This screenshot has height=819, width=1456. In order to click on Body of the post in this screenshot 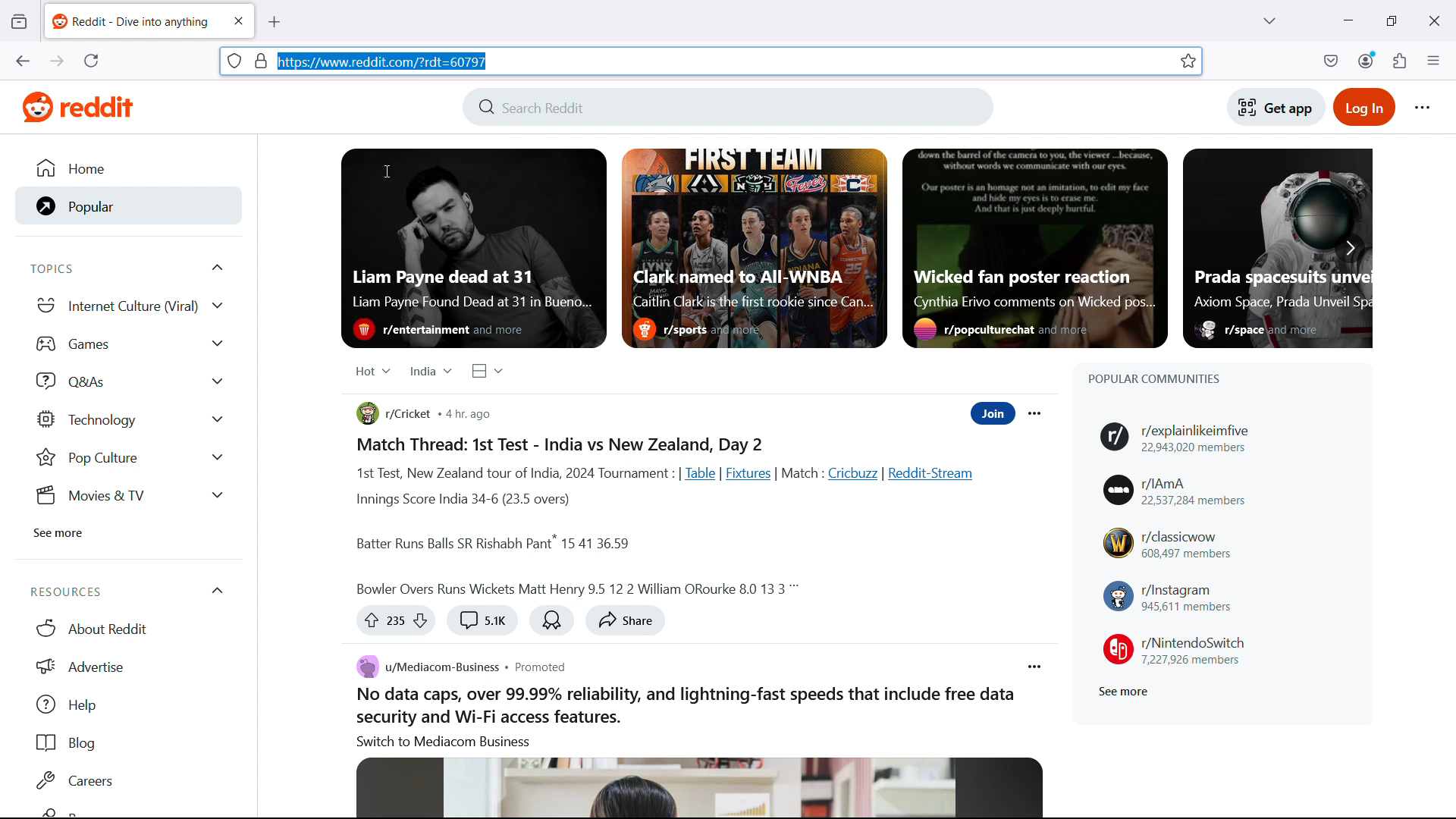, I will do `click(673, 516)`.